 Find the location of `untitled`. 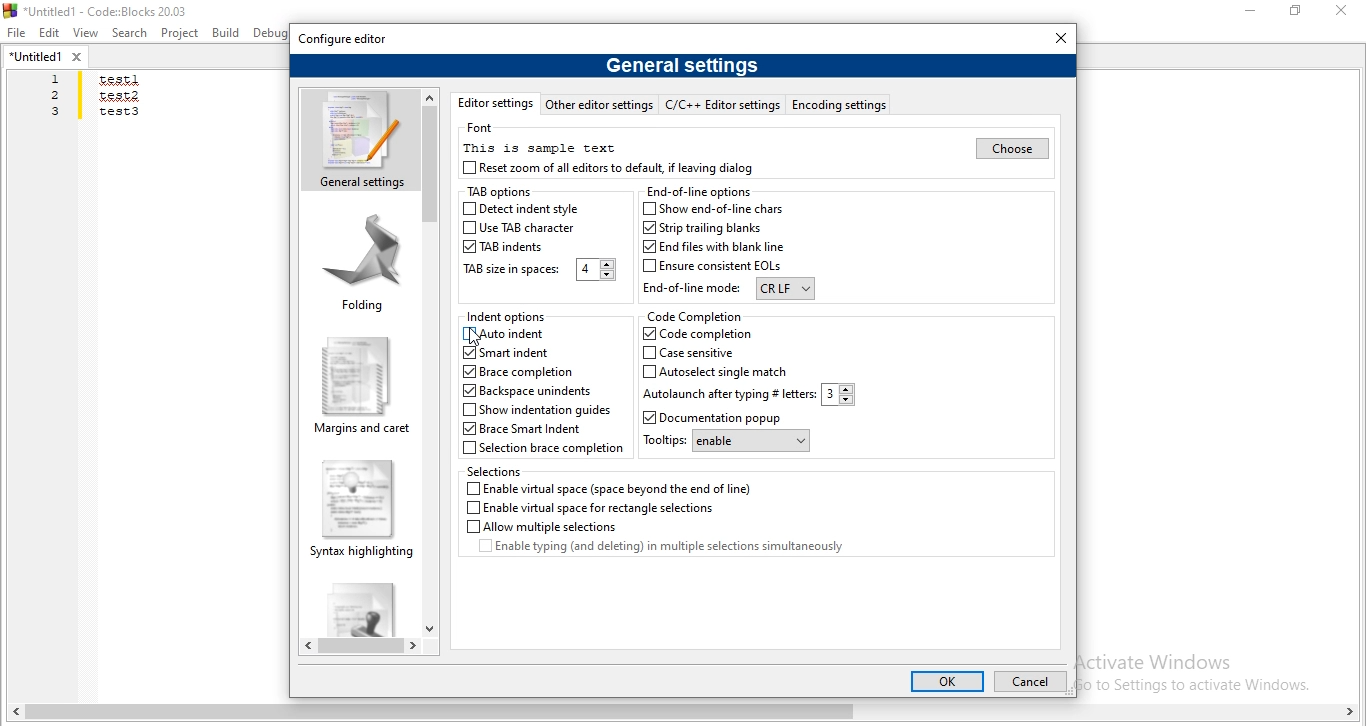

untitled is located at coordinates (46, 56).